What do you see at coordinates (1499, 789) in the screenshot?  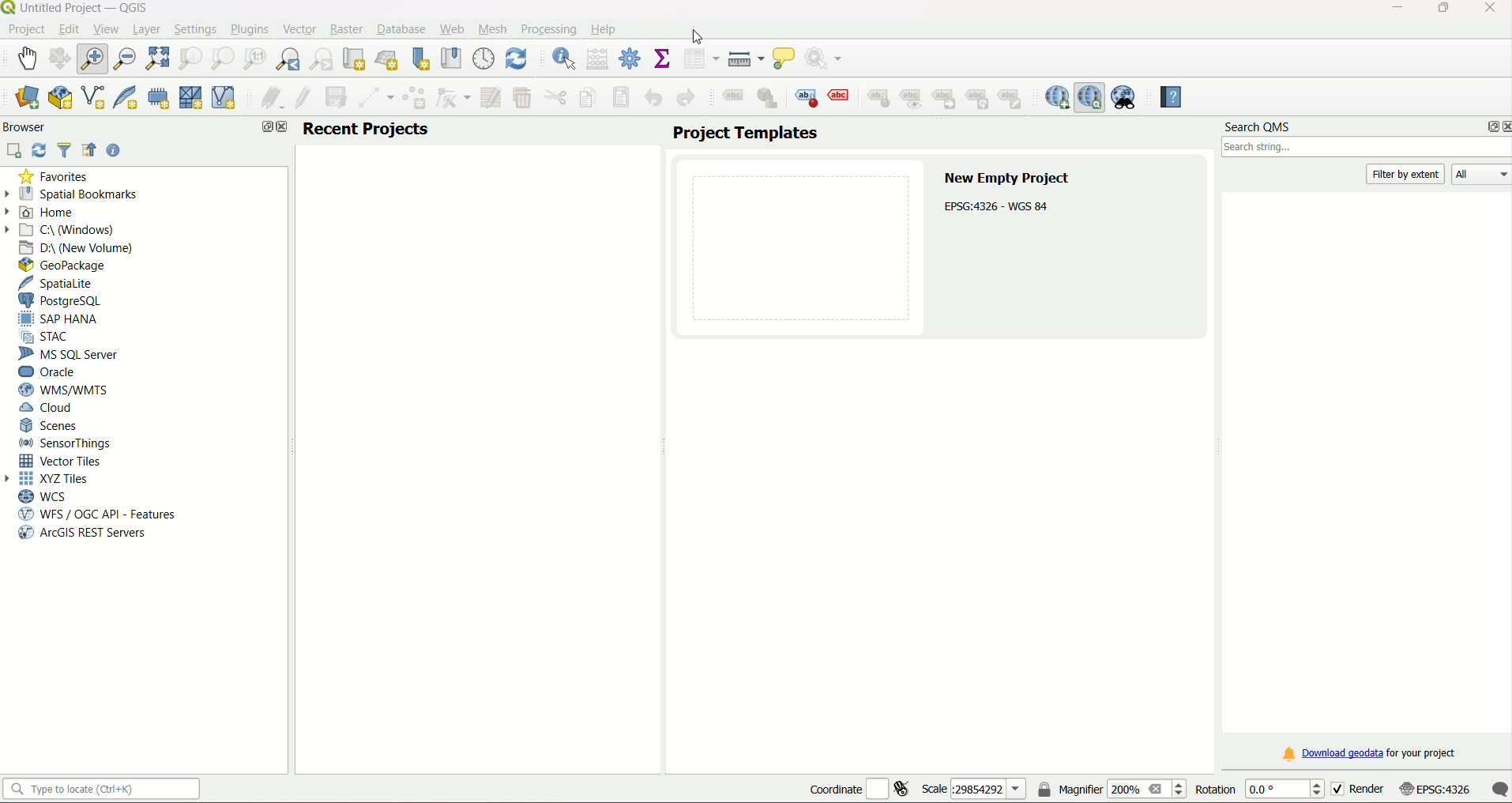 I see `comment` at bounding box center [1499, 789].